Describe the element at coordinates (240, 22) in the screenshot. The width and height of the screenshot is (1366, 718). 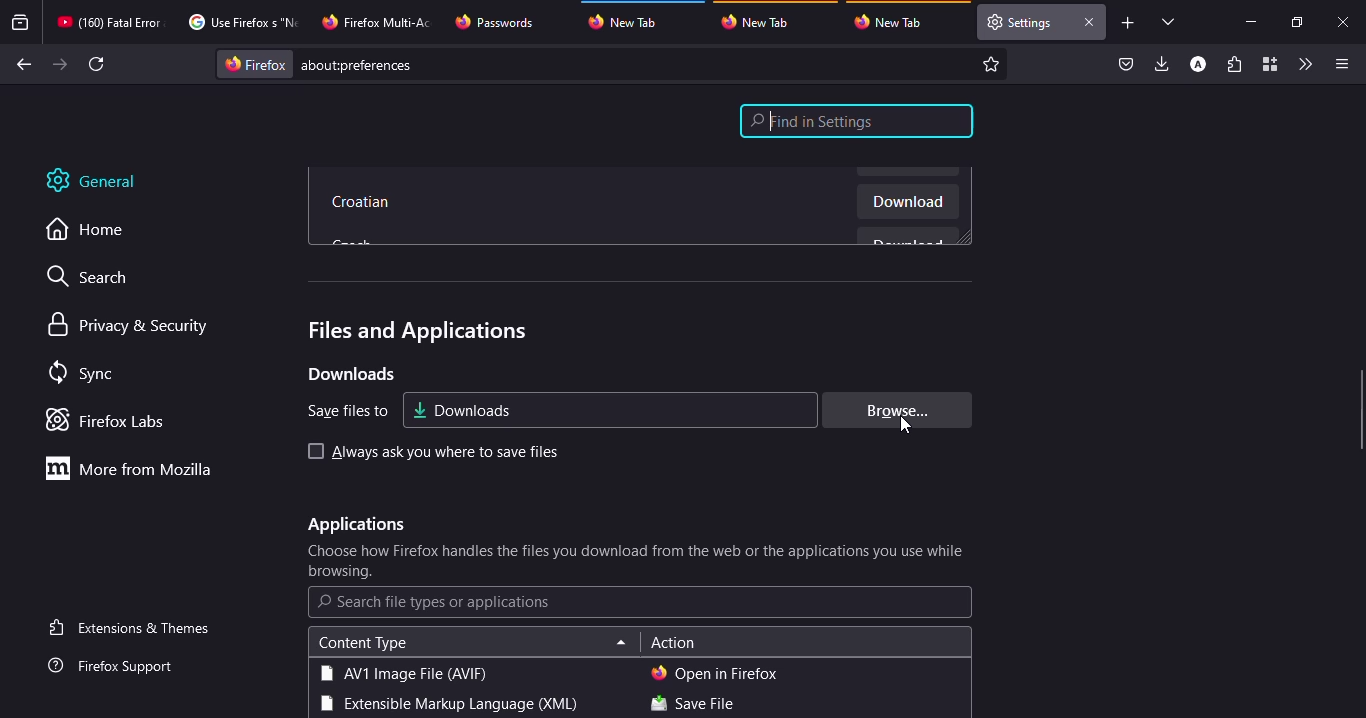
I see `tab` at that location.